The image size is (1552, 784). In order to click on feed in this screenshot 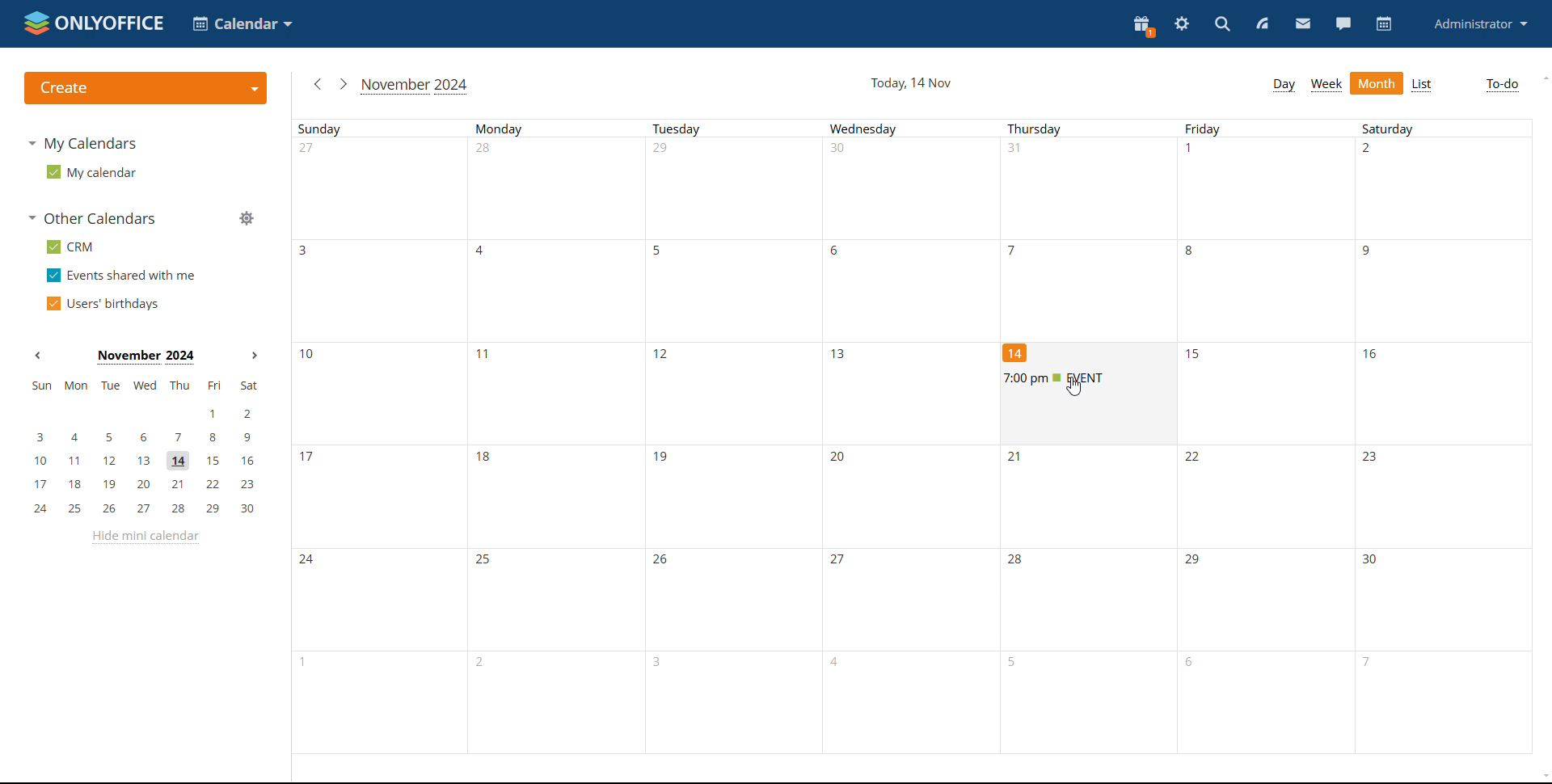, I will do `click(1263, 23)`.